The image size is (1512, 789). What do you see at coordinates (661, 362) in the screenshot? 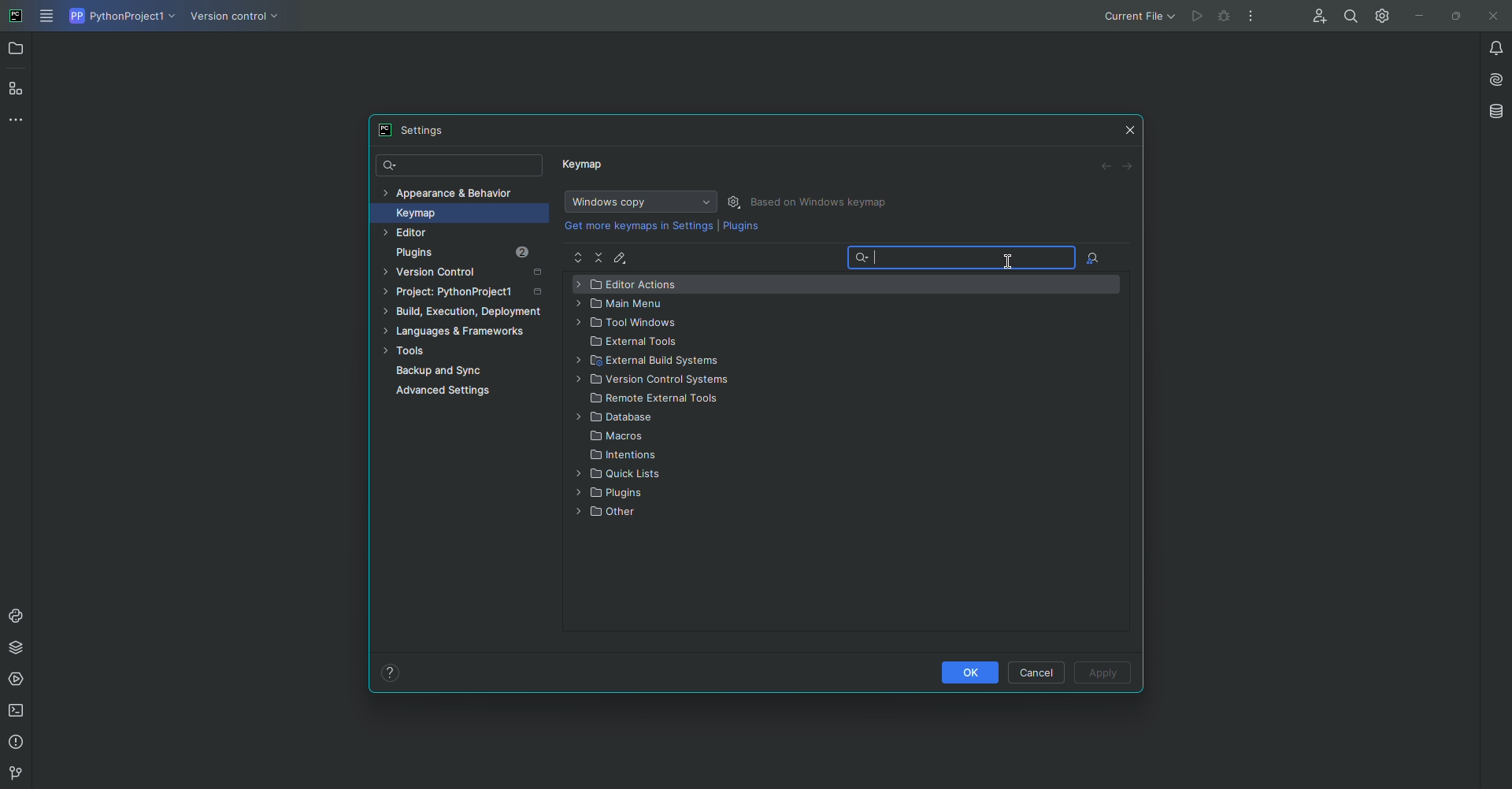
I see `External build Systems` at bounding box center [661, 362].